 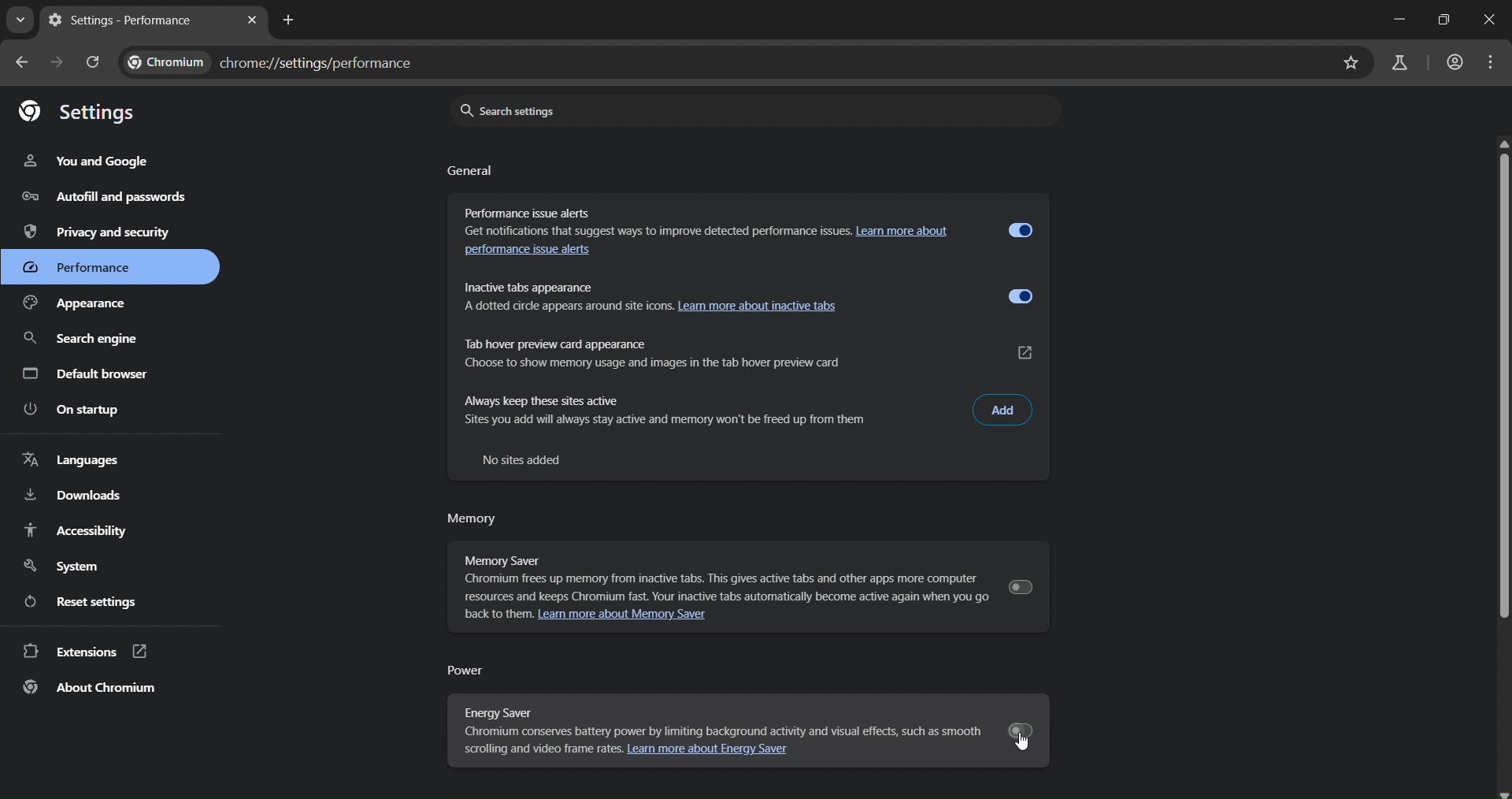 What do you see at coordinates (85, 652) in the screenshot?
I see `extensions` at bounding box center [85, 652].